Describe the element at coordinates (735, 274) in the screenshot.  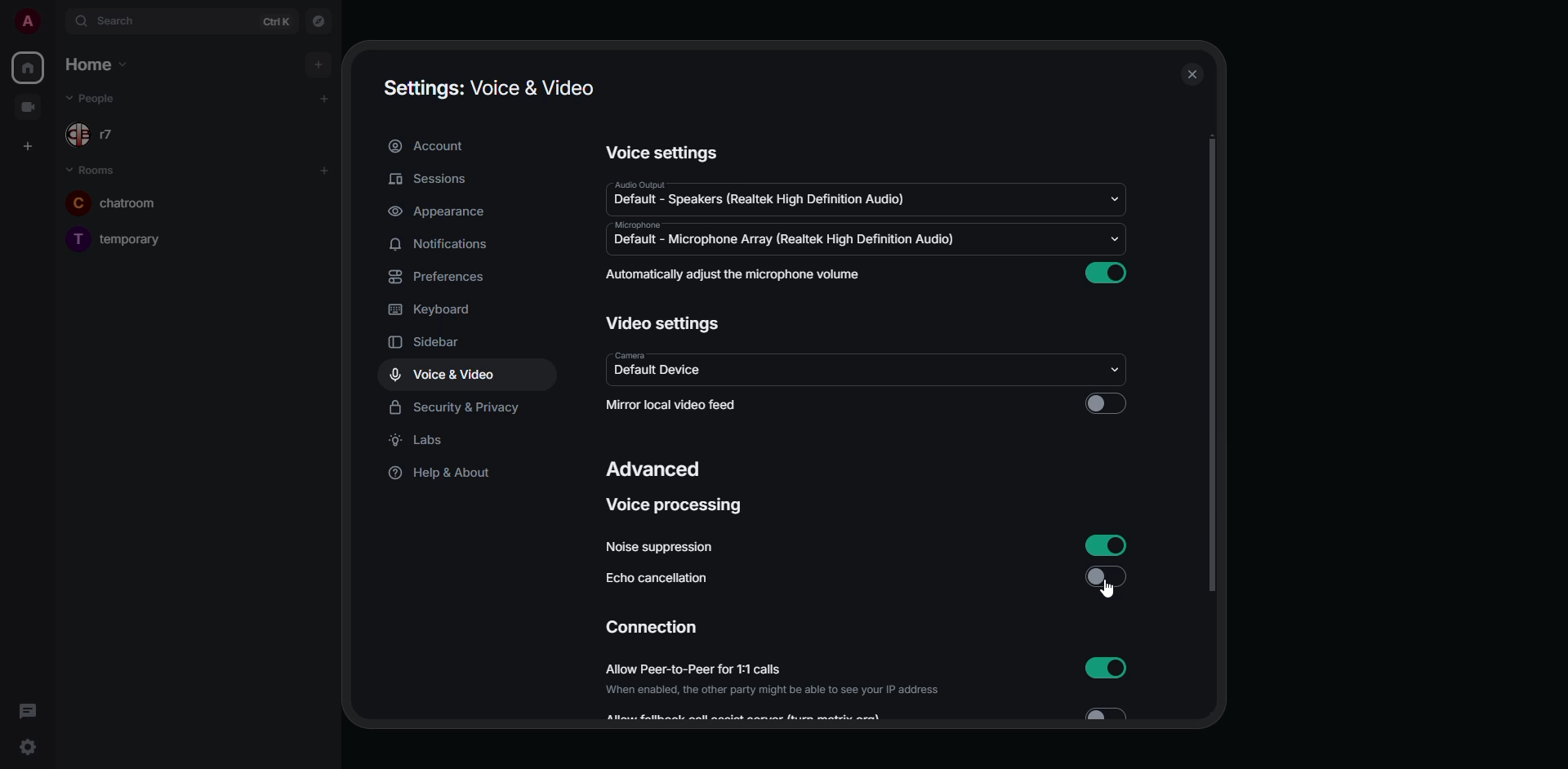
I see `automatically adjust mic volume` at that location.